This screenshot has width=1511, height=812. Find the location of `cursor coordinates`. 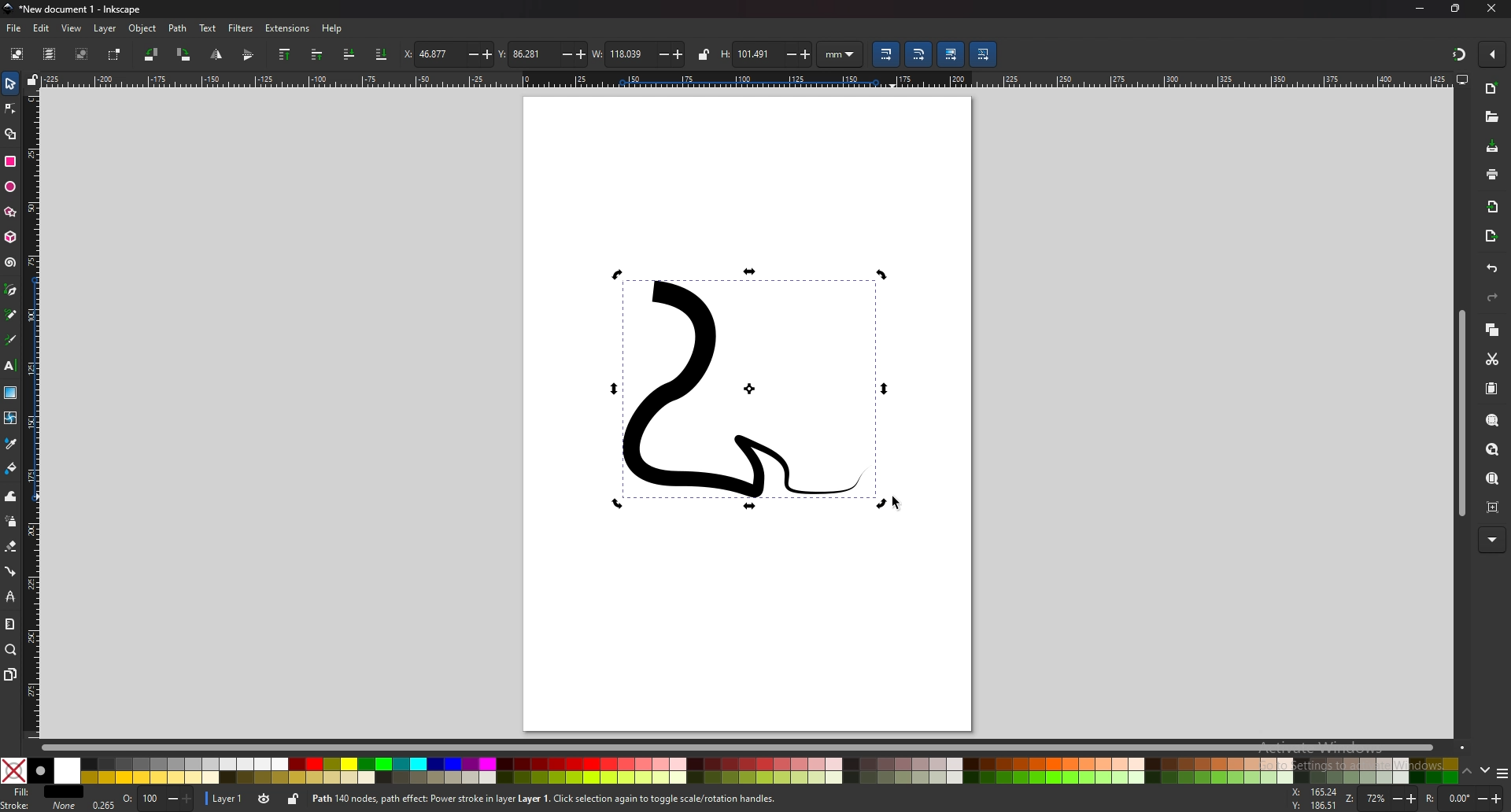

cursor coordinates is located at coordinates (1314, 800).